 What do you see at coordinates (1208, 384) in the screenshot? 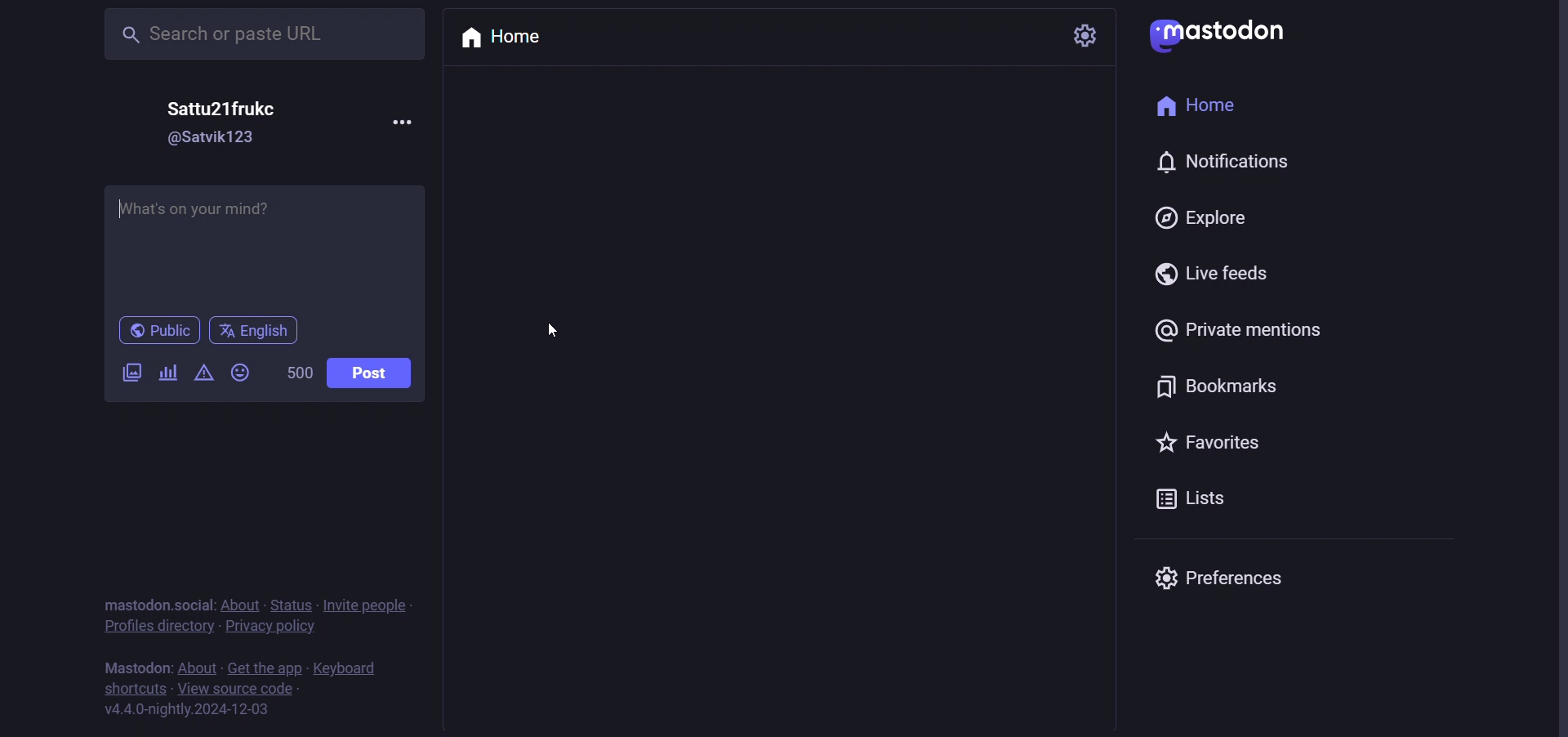
I see `bookmark` at bounding box center [1208, 384].